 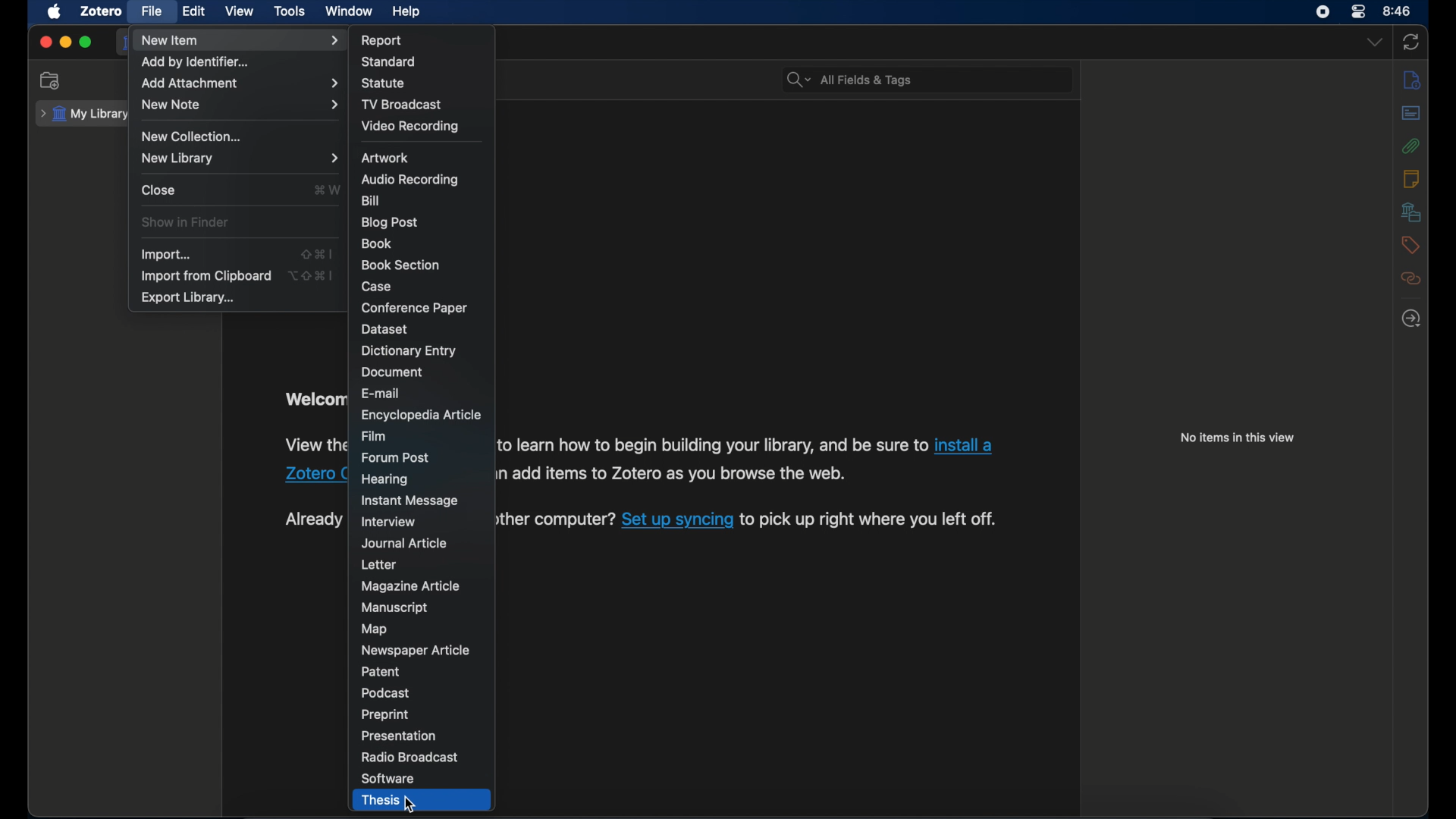 What do you see at coordinates (317, 253) in the screenshot?
I see `shortcut` at bounding box center [317, 253].